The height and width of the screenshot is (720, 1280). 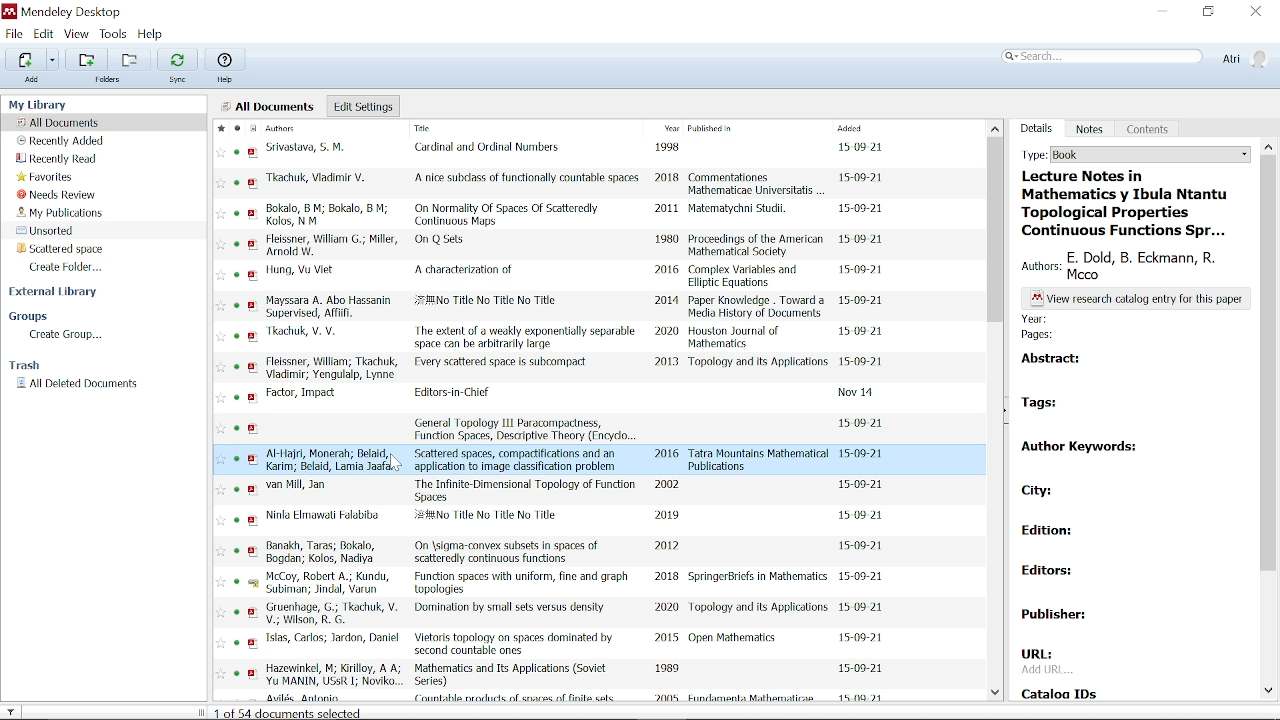 What do you see at coordinates (14, 33) in the screenshot?
I see `File` at bounding box center [14, 33].